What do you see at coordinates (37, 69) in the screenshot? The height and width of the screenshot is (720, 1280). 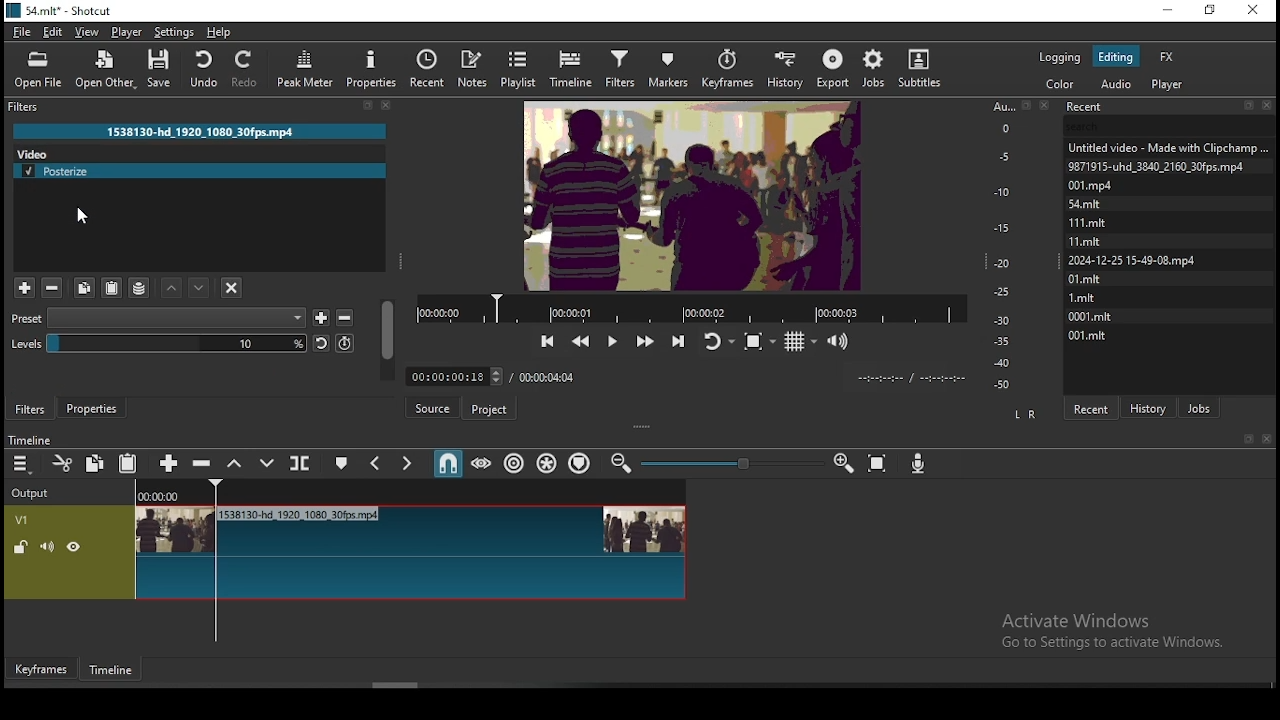 I see `open file` at bounding box center [37, 69].